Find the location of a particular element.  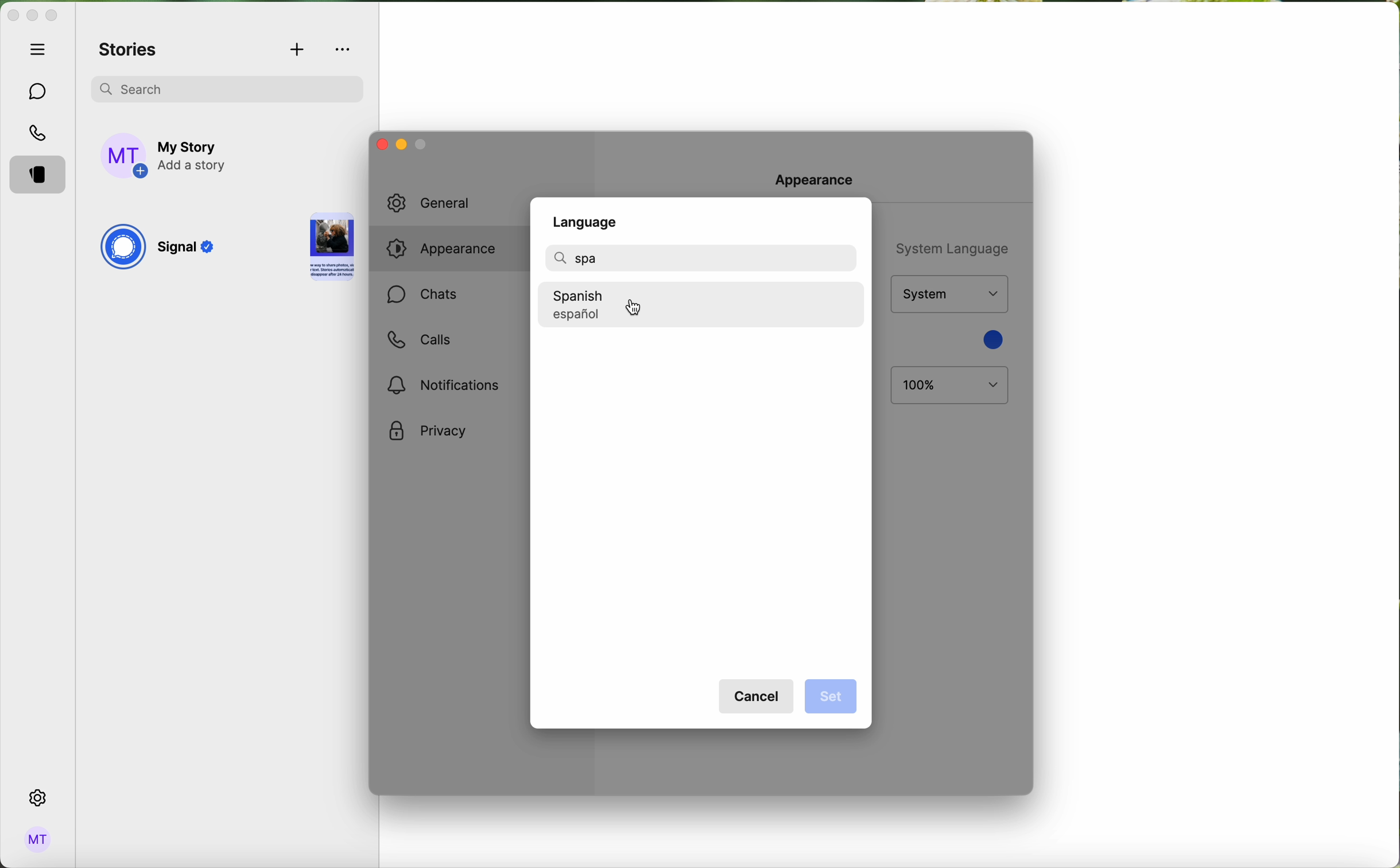

Language is located at coordinates (588, 218).